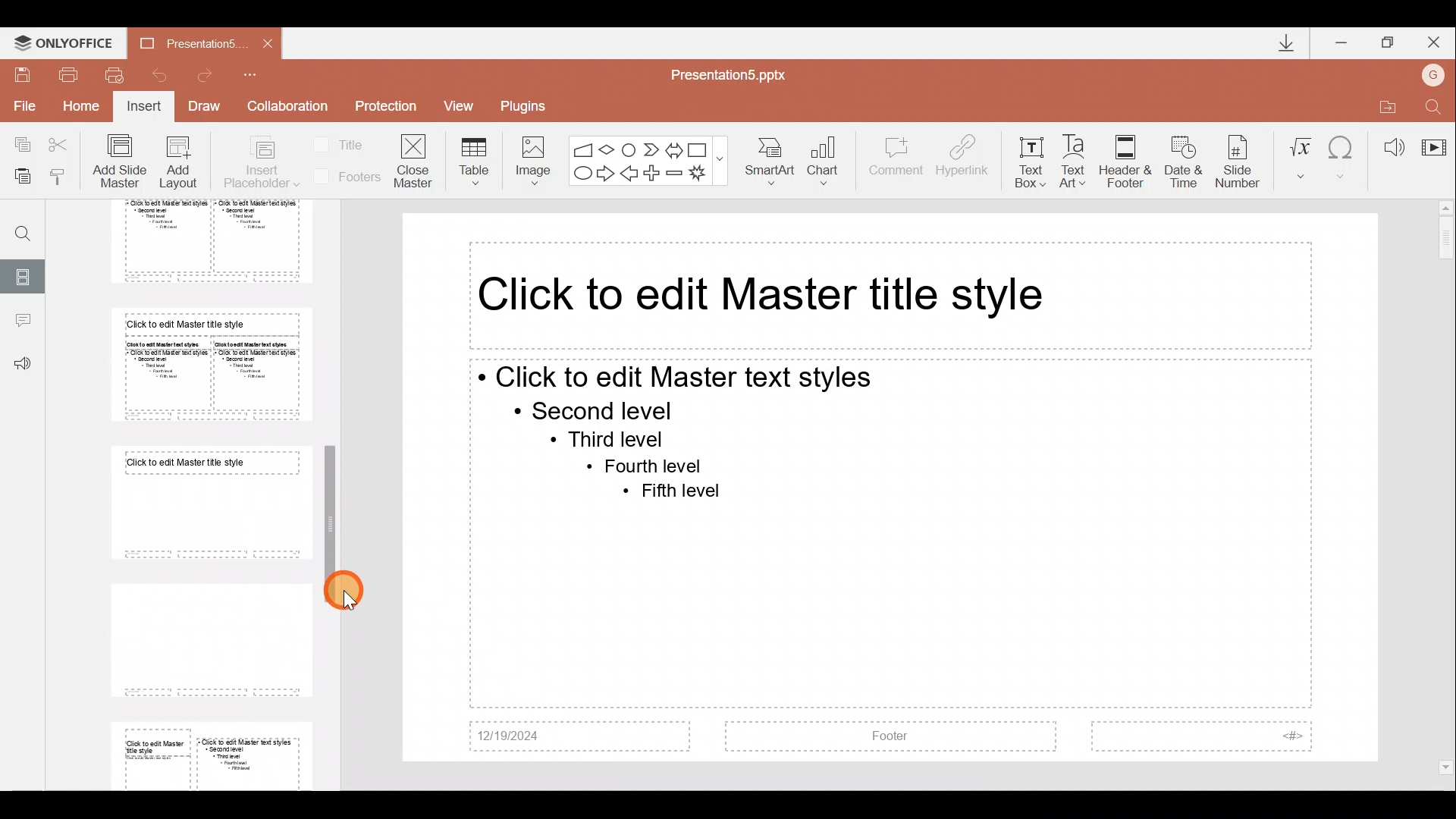 This screenshot has height=819, width=1456. I want to click on ONLYOFFICE, so click(63, 39).